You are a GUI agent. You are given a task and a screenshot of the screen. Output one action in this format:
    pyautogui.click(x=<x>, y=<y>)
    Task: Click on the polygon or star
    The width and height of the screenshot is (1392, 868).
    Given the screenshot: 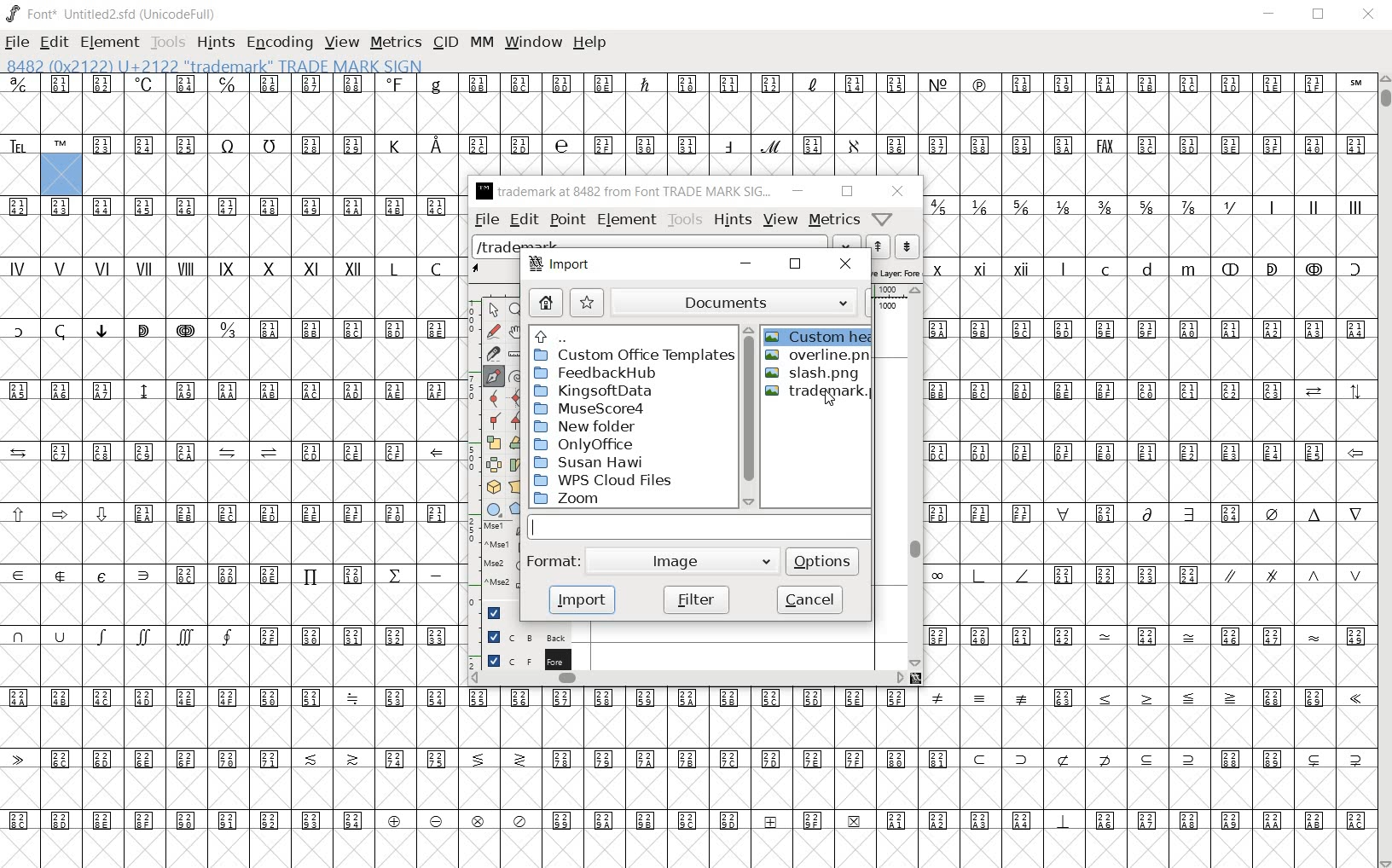 What is the action you would take?
    pyautogui.click(x=515, y=508)
    